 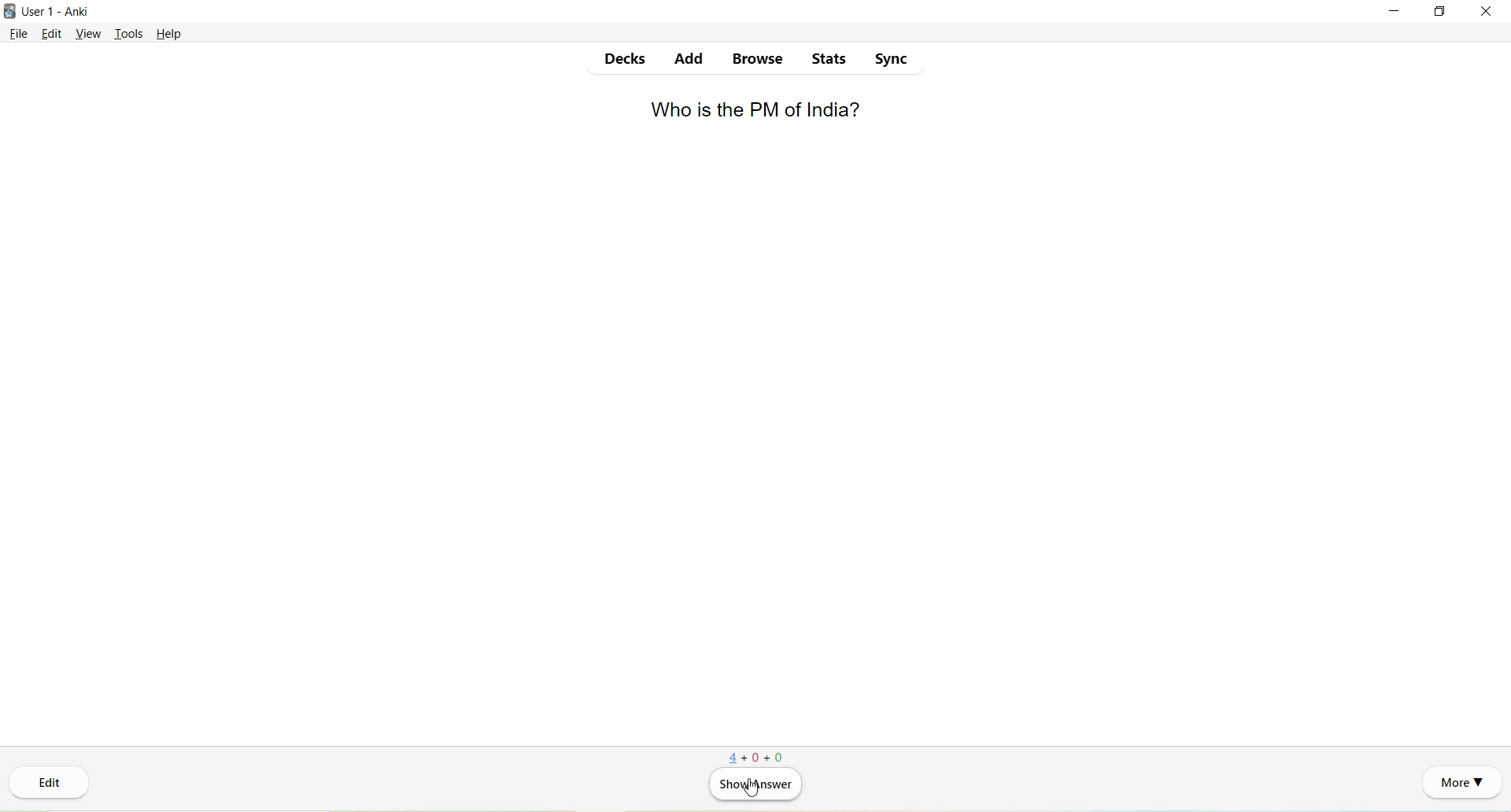 What do you see at coordinates (1487, 11) in the screenshot?
I see `Close` at bounding box center [1487, 11].